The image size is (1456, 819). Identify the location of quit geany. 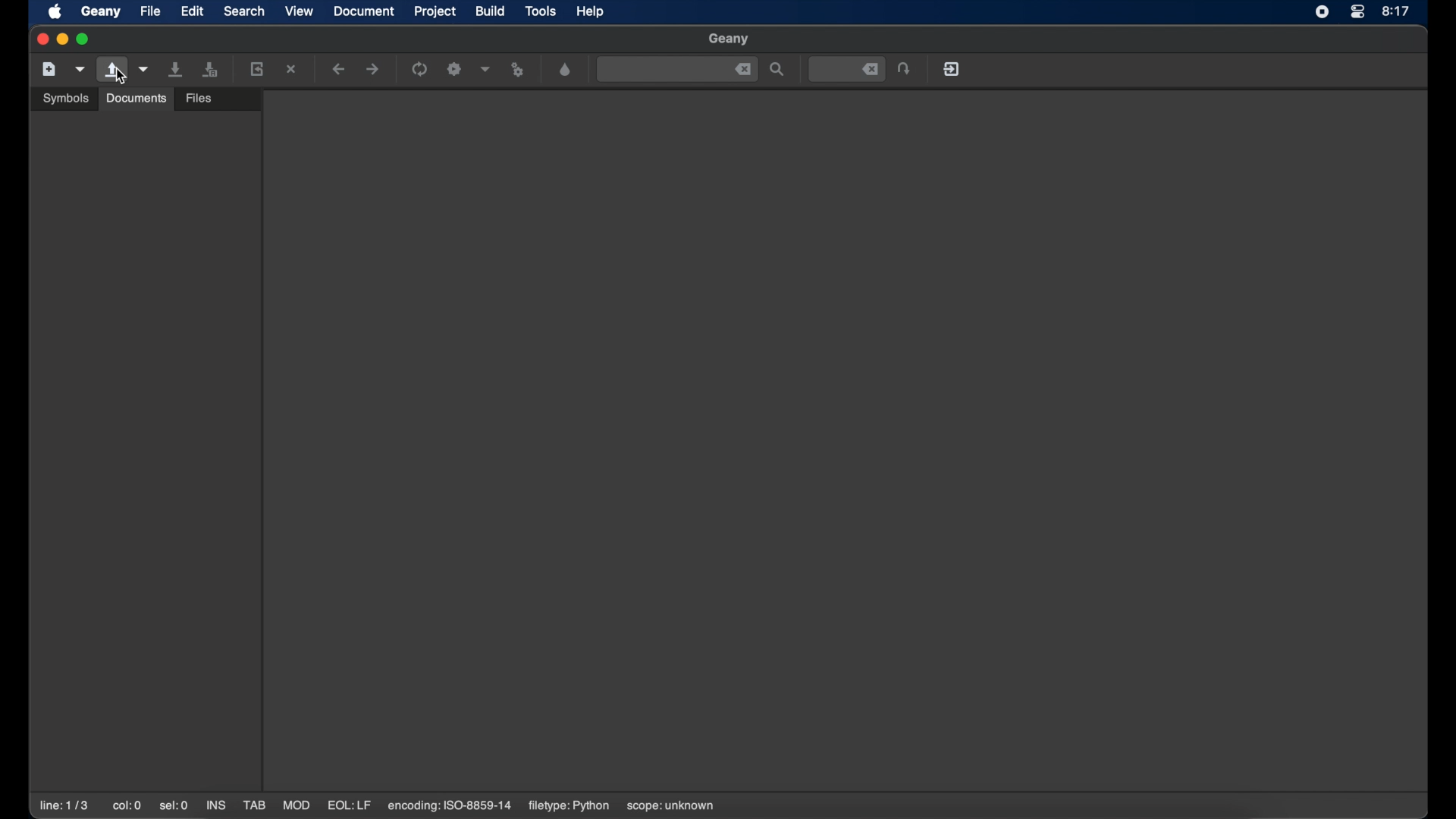
(952, 68).